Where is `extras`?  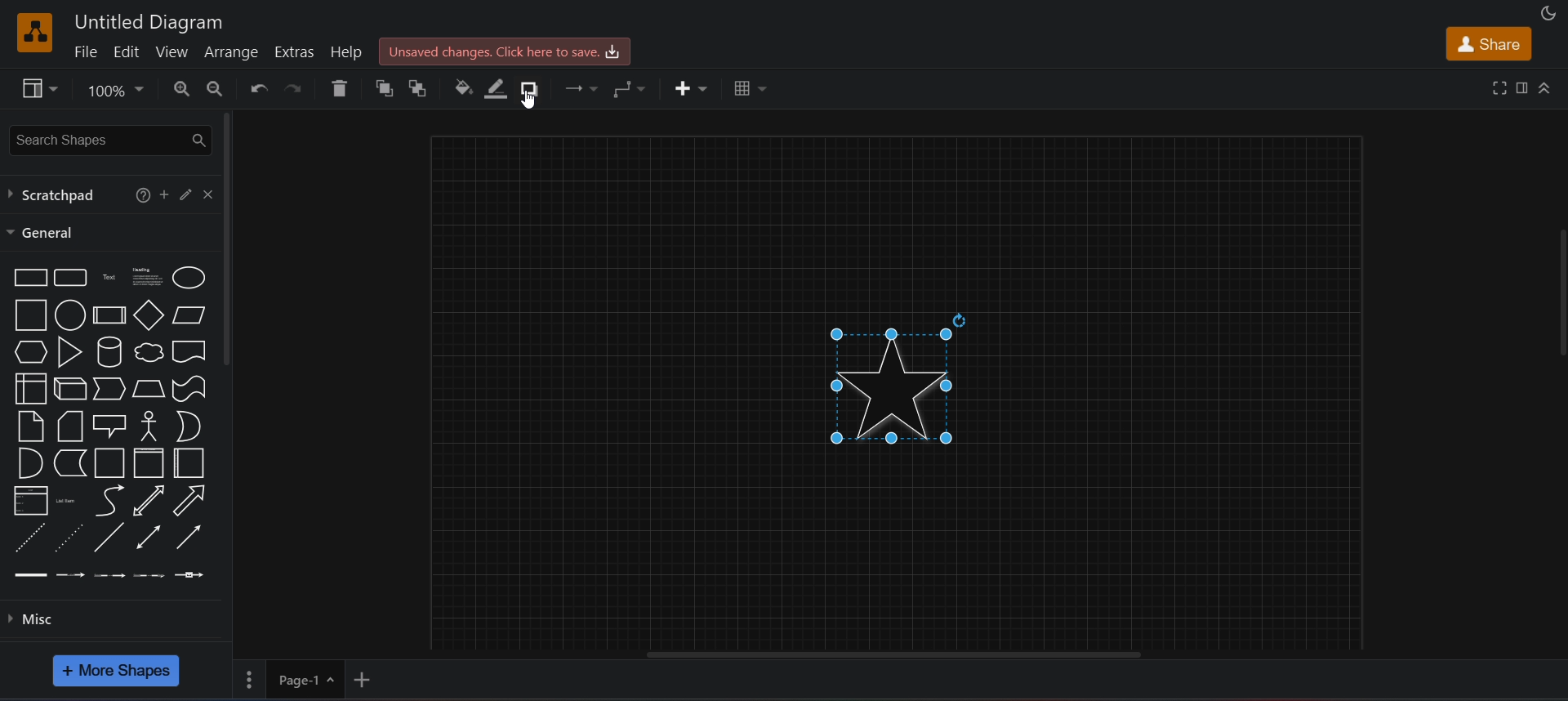 extras is located at coordinates (296, 47).